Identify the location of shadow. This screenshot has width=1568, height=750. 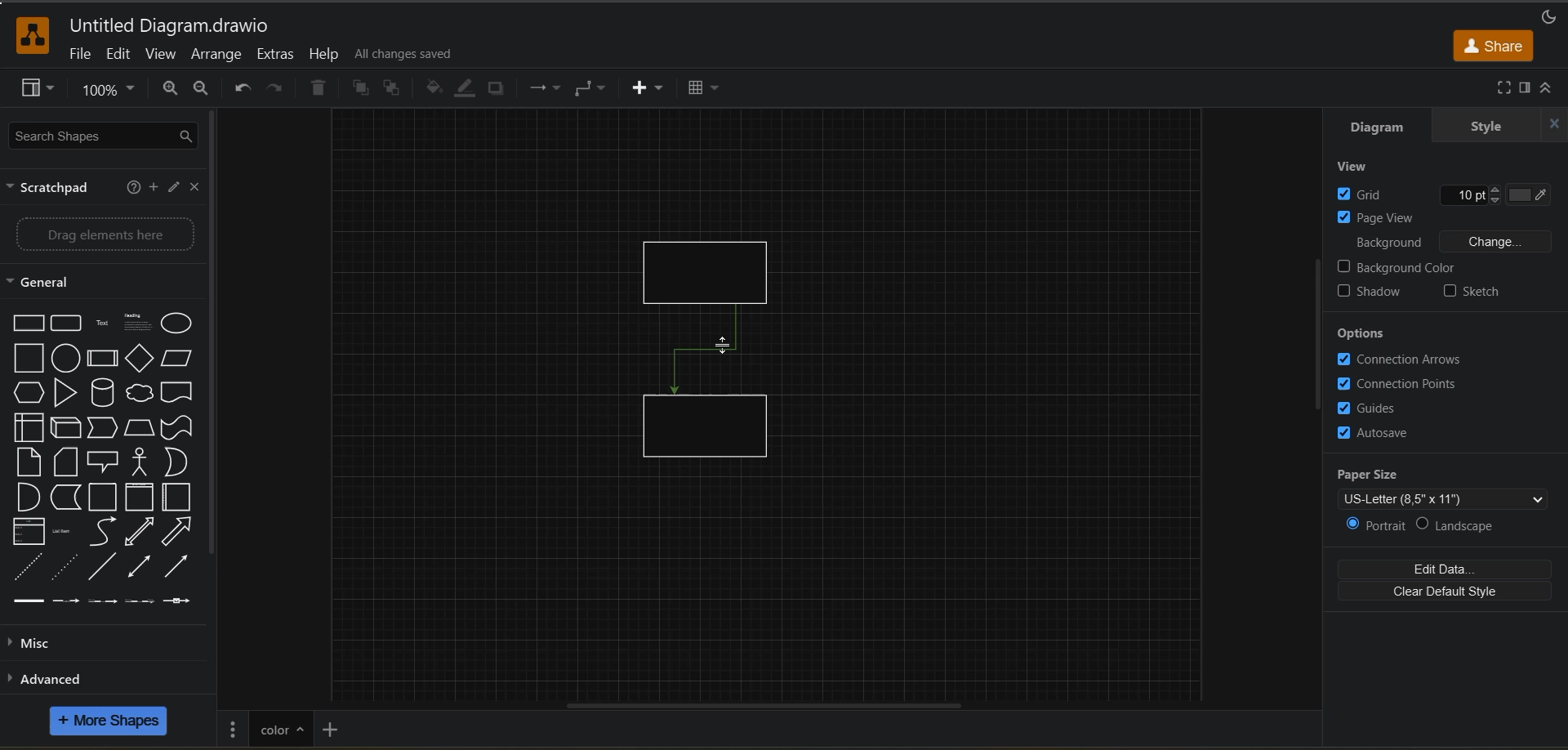
(1372, 293).